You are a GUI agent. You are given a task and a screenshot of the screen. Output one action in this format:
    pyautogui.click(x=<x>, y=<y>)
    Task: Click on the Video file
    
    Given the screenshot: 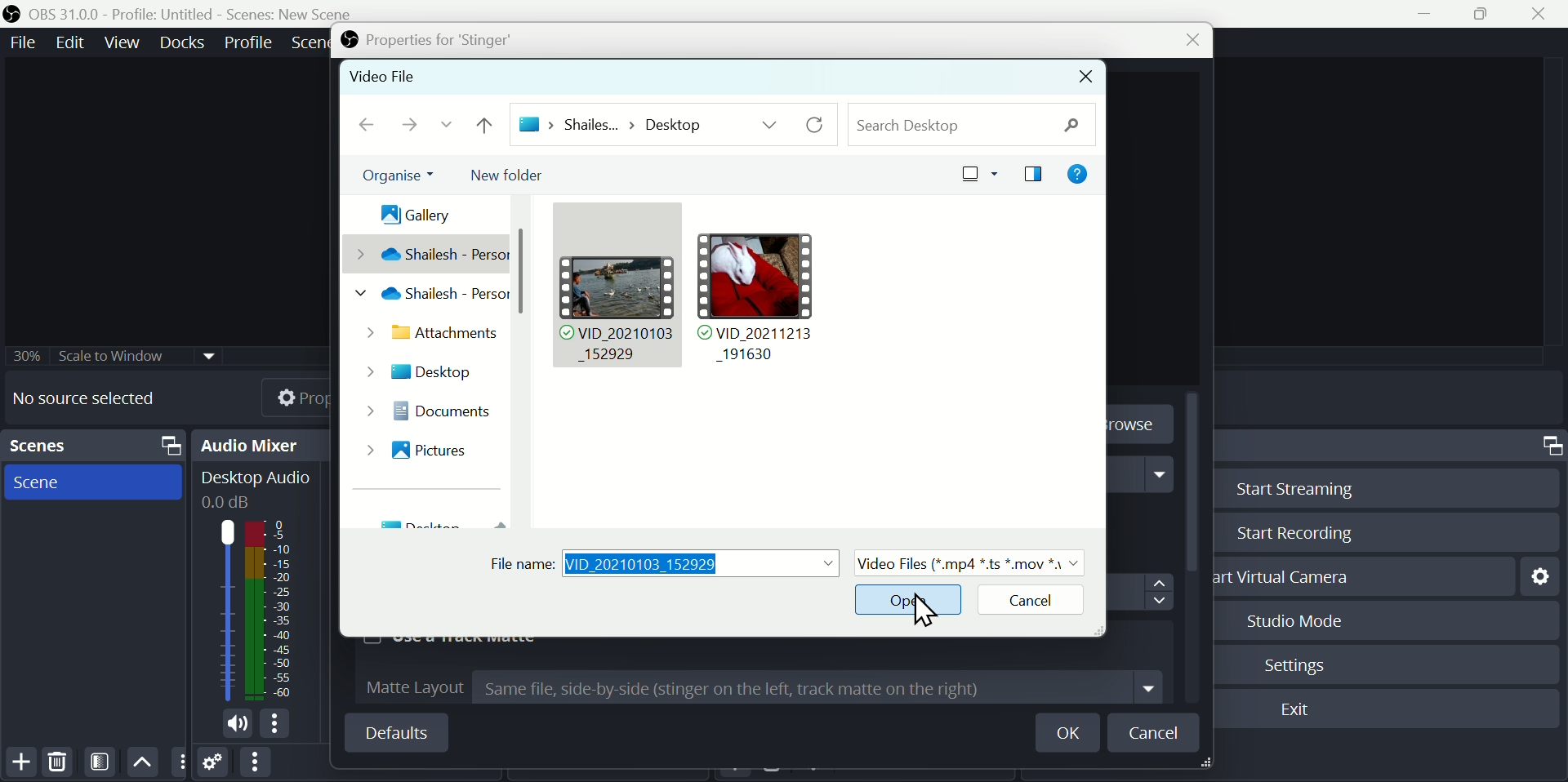 What is the action you would take?
    pyautogui.click(x=395, y=78)
    